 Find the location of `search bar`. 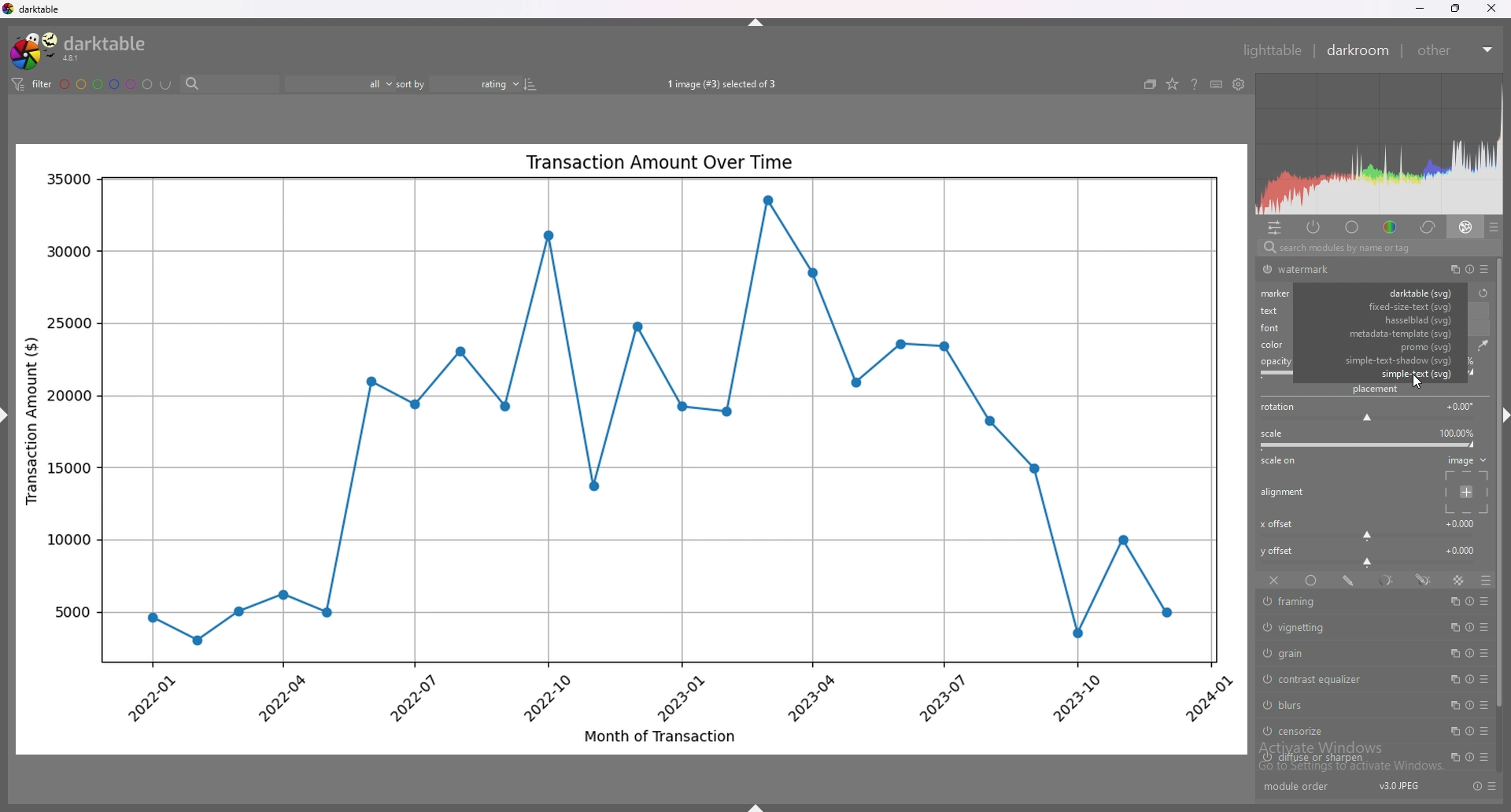

search bar is located at coordinates (1374, 249).